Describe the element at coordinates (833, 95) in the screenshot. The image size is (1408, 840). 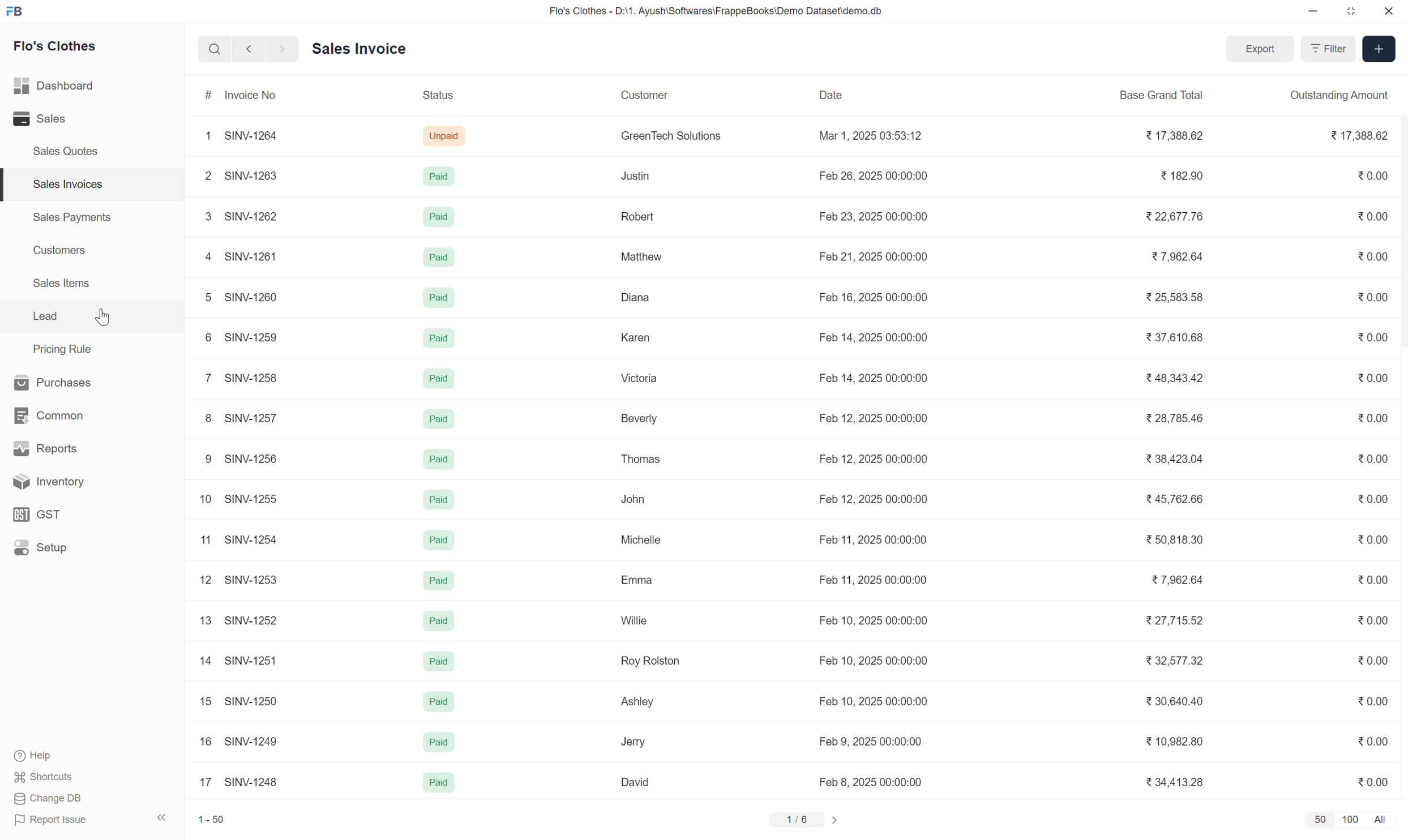
I see `Date` at that location.